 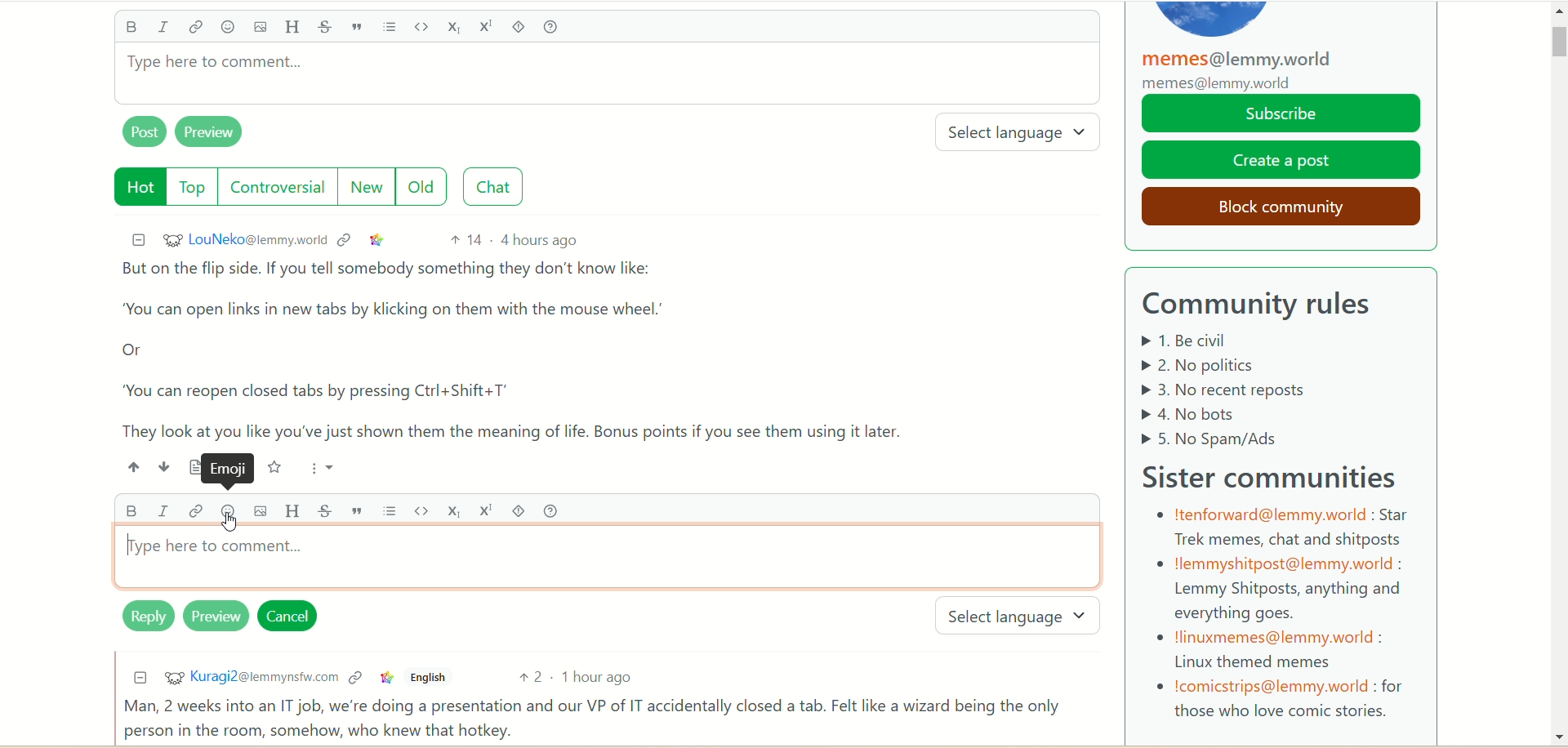 What do you see at coordinates (167, 28) in the screenshot?
I see `italics` at bounding box center [167, 28].